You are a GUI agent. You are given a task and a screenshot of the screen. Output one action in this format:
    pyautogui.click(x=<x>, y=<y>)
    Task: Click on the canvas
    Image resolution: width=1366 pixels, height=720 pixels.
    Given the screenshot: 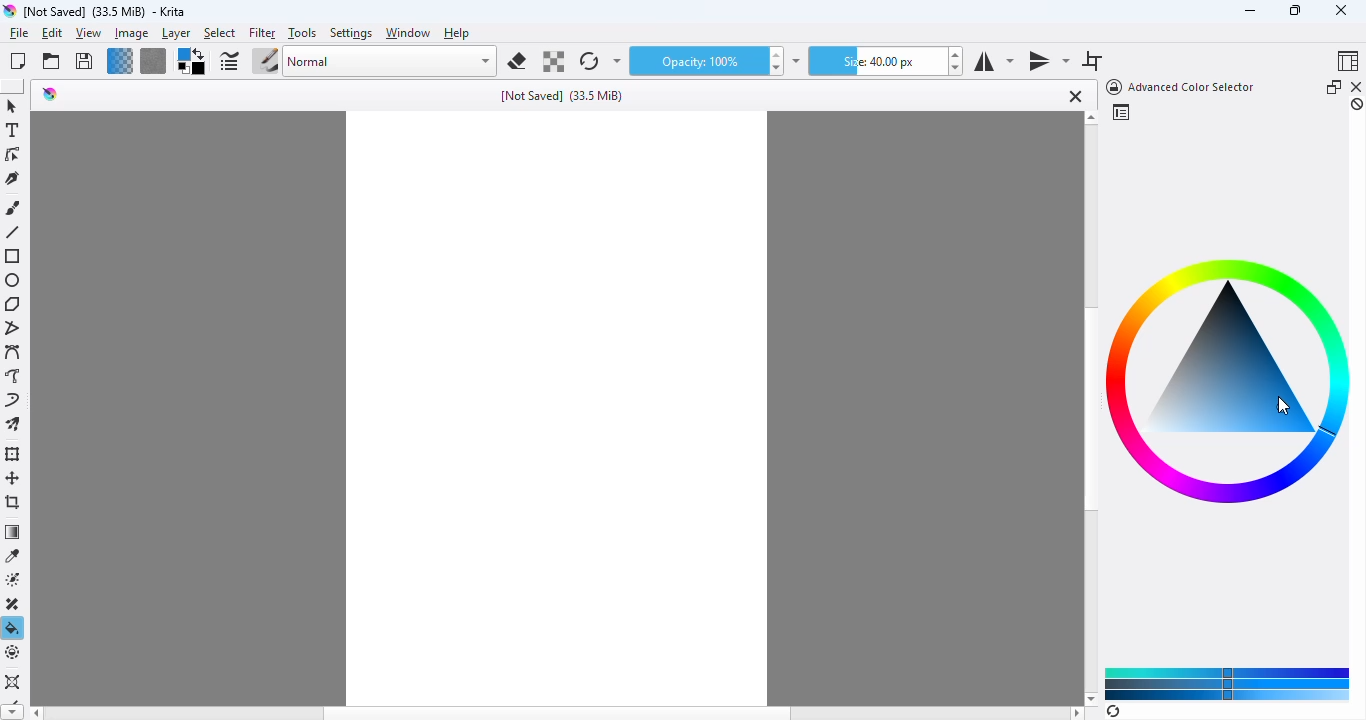 What is the action you would take?
    pyautogui.click(x=557, y=408)
    